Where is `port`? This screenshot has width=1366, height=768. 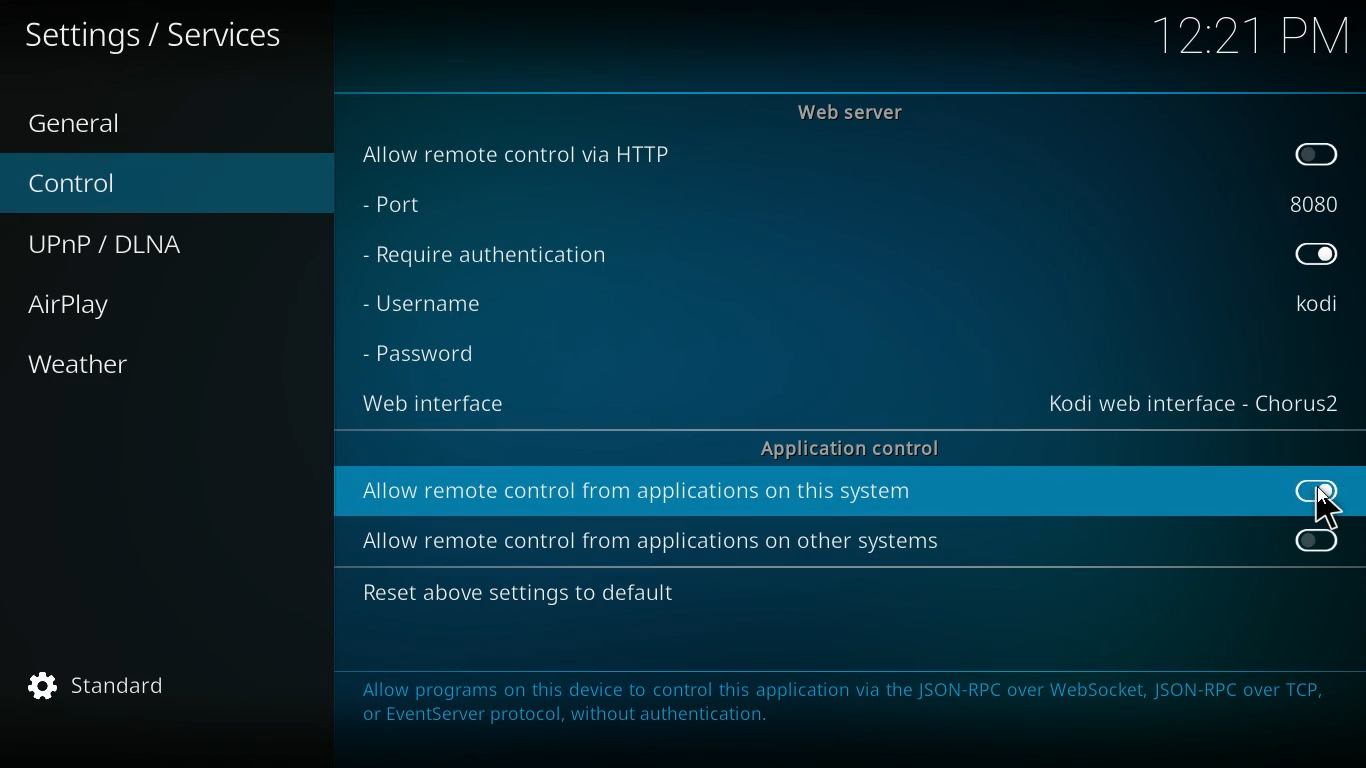 port is located at coordinates (394, 204).